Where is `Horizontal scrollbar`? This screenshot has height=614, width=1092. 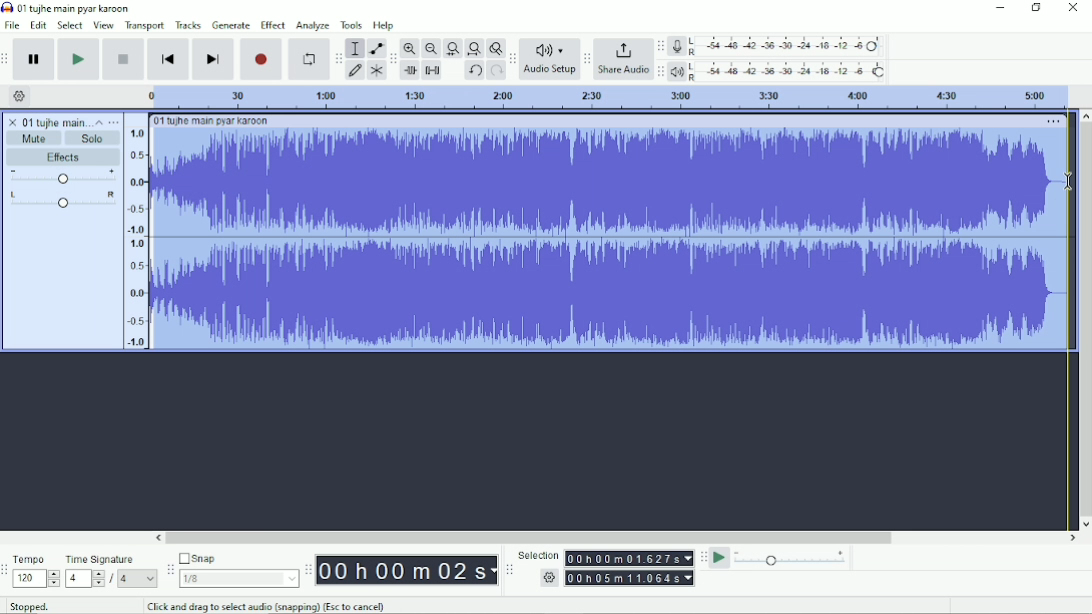
Horizontal scrollbar is located at coordinates (616, 538).